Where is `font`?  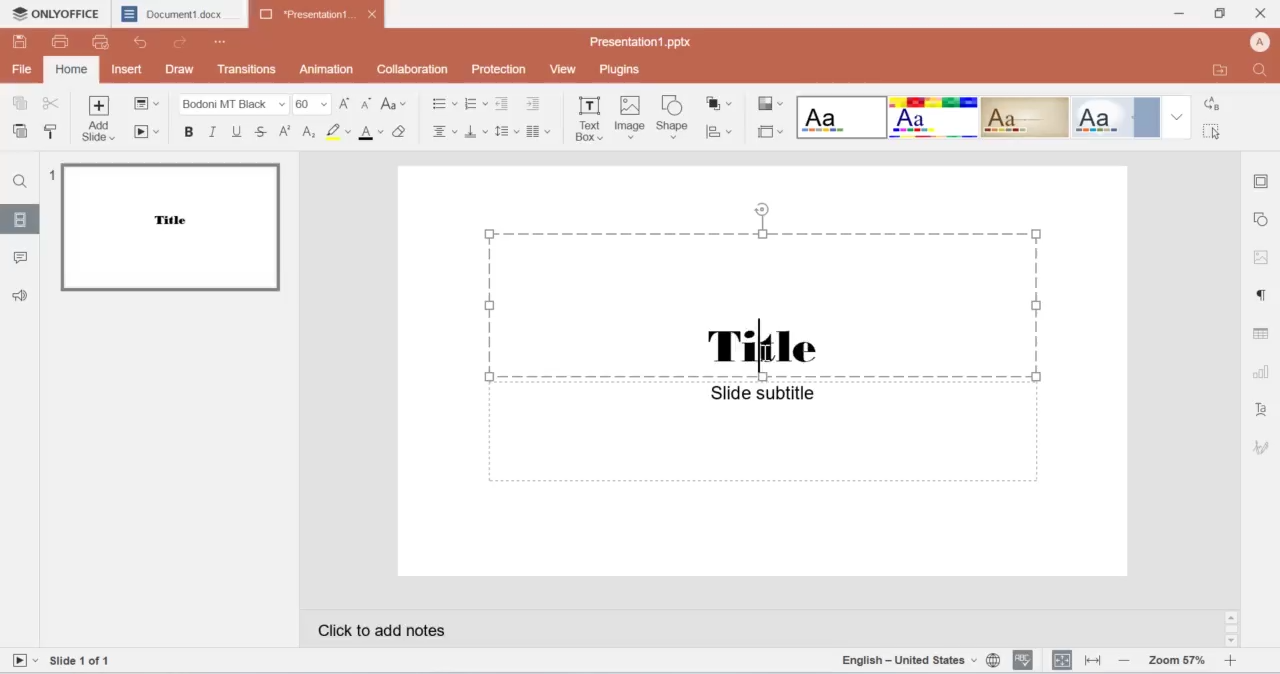 font is located at coordinates (233, 103).